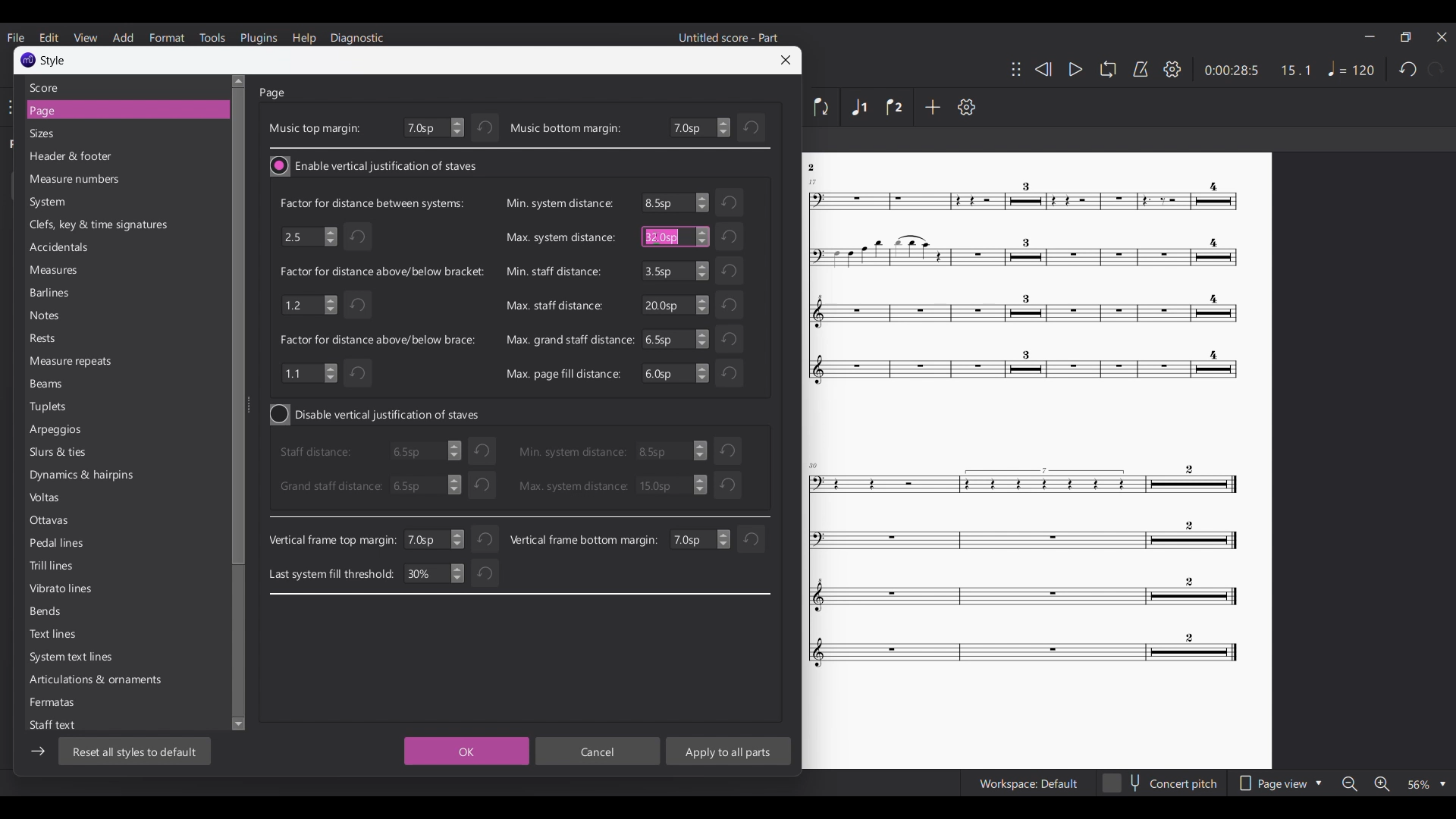 This screenshot has width=1456, height=819. What do you see at coordinates (85, 37) in the screenshot?
I see `View menu` at bounding box center [85, 37].